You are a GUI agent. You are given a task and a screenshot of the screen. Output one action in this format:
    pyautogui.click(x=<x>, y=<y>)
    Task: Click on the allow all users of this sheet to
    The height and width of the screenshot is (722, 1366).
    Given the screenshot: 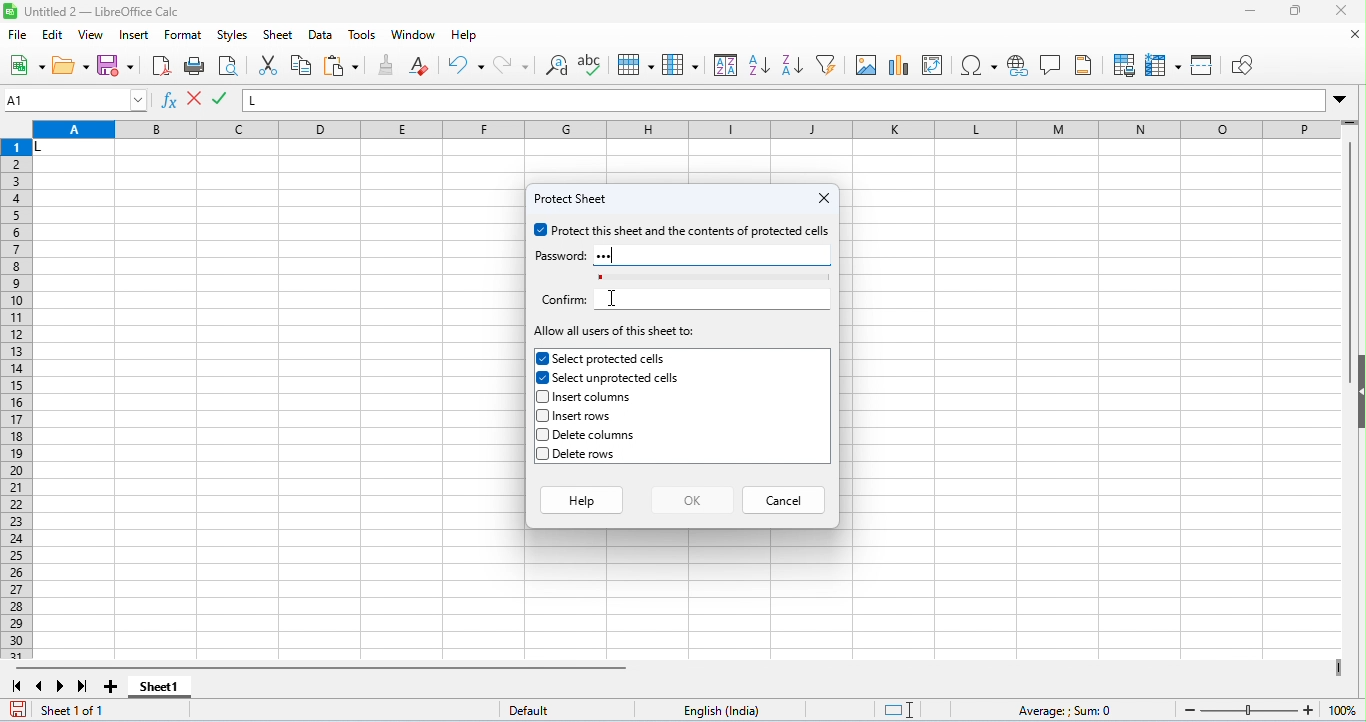 What is the action you would take?
    pyautogui.click(x=616, y=332)
    